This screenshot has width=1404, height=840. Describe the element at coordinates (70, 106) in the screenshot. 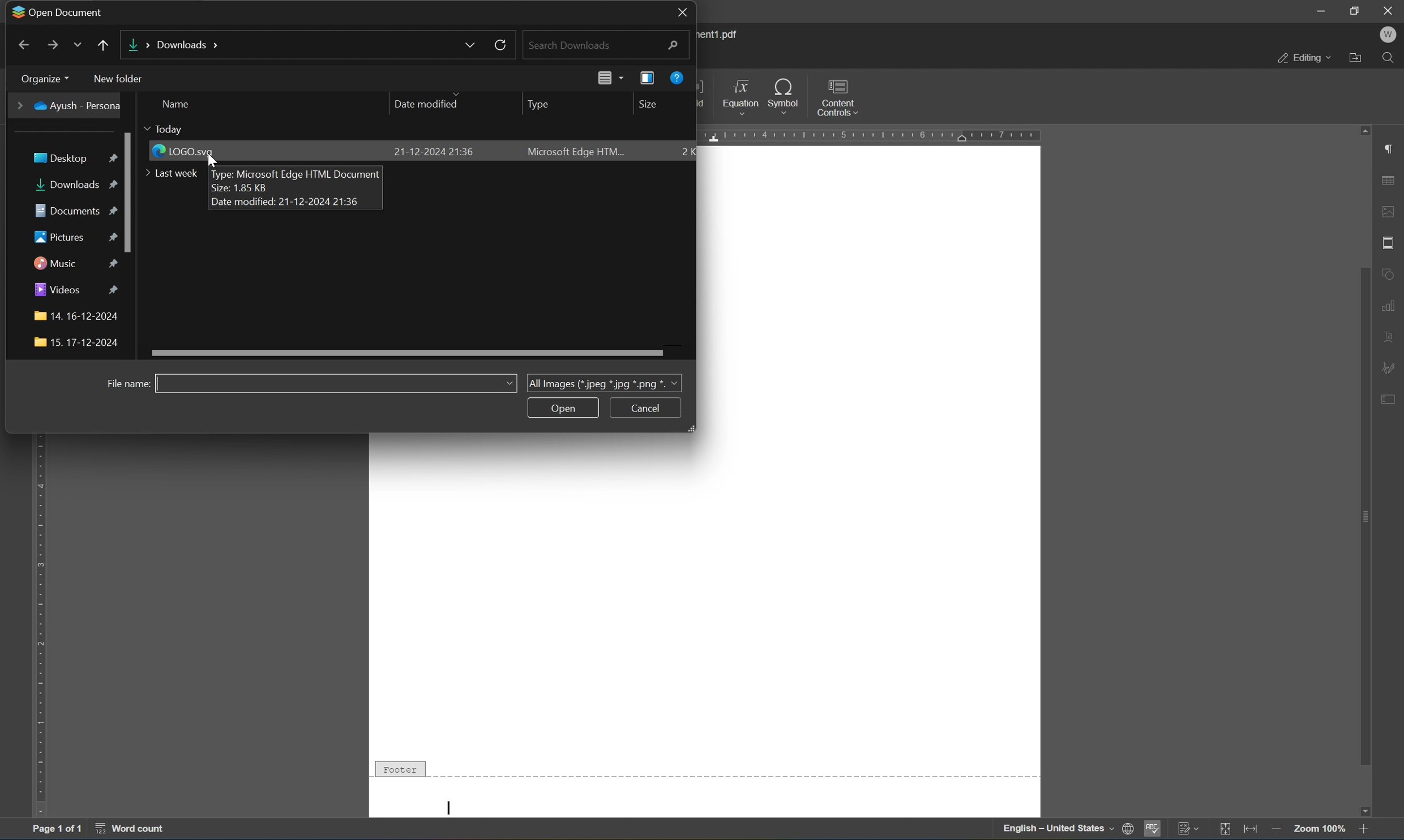

I see `Ayush - Personal` at that location.